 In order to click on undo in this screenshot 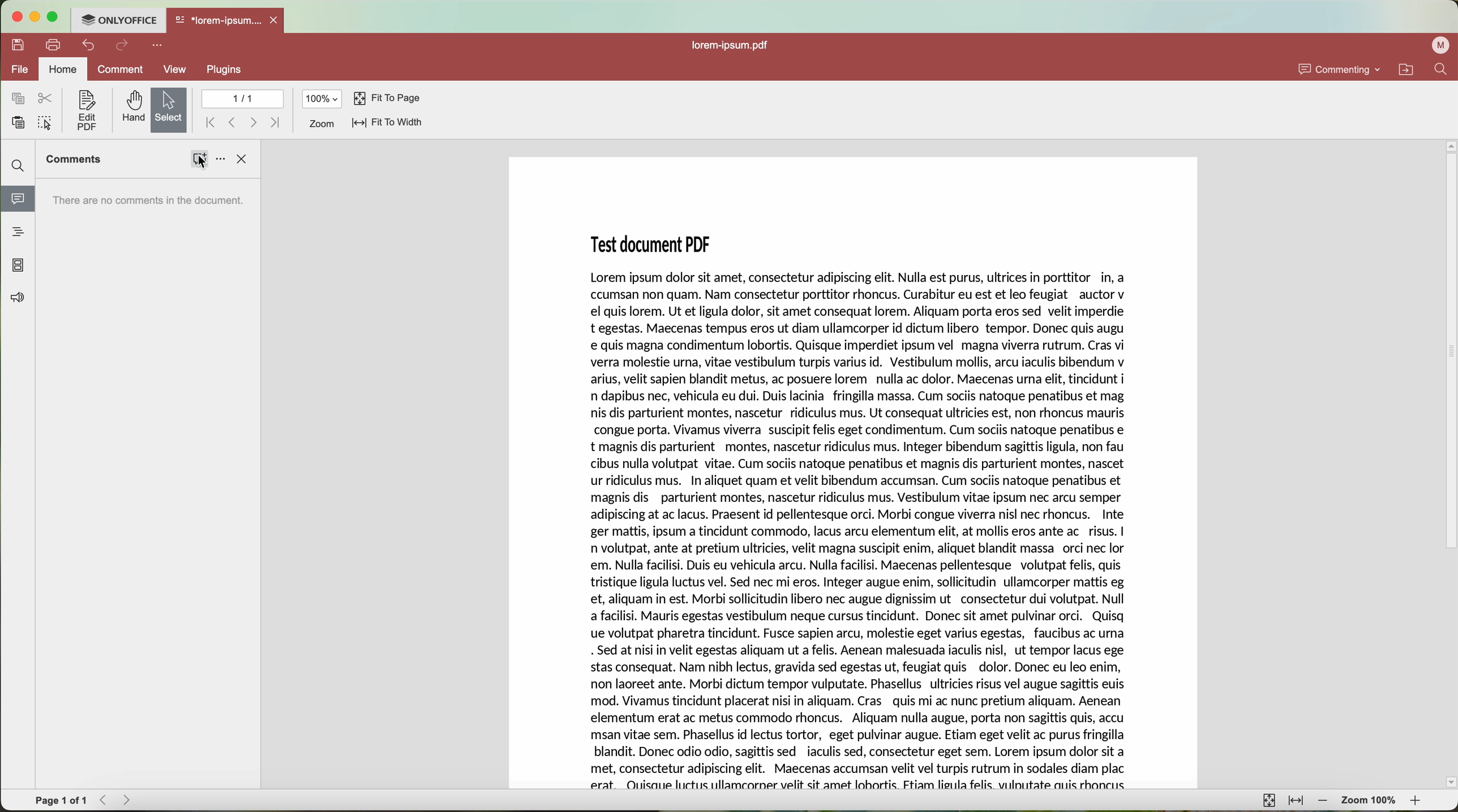, I will do `click(88, 45)`.